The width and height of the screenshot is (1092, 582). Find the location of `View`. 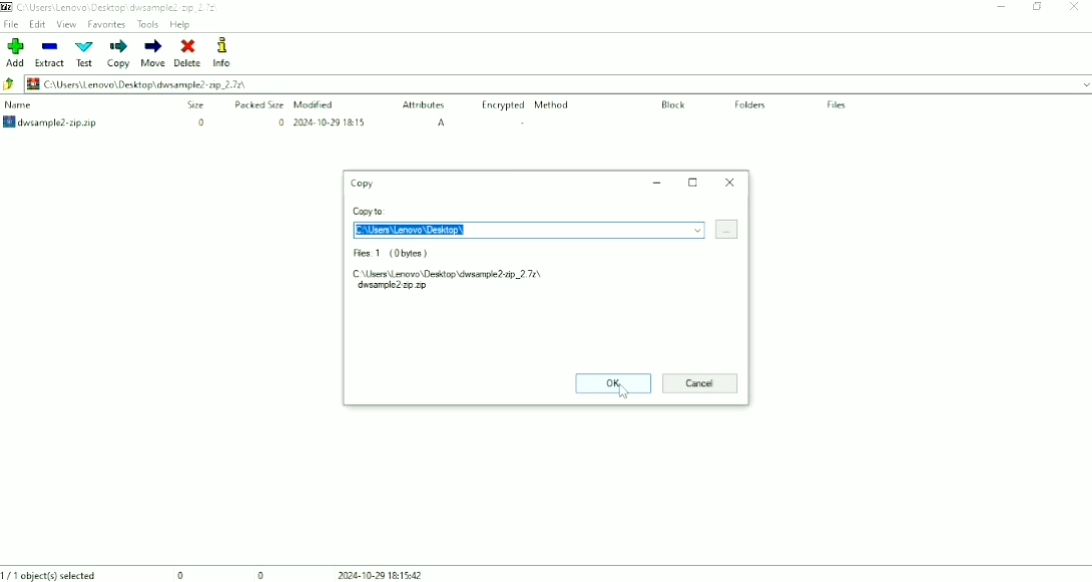

View is located at coordinates (66, 24).